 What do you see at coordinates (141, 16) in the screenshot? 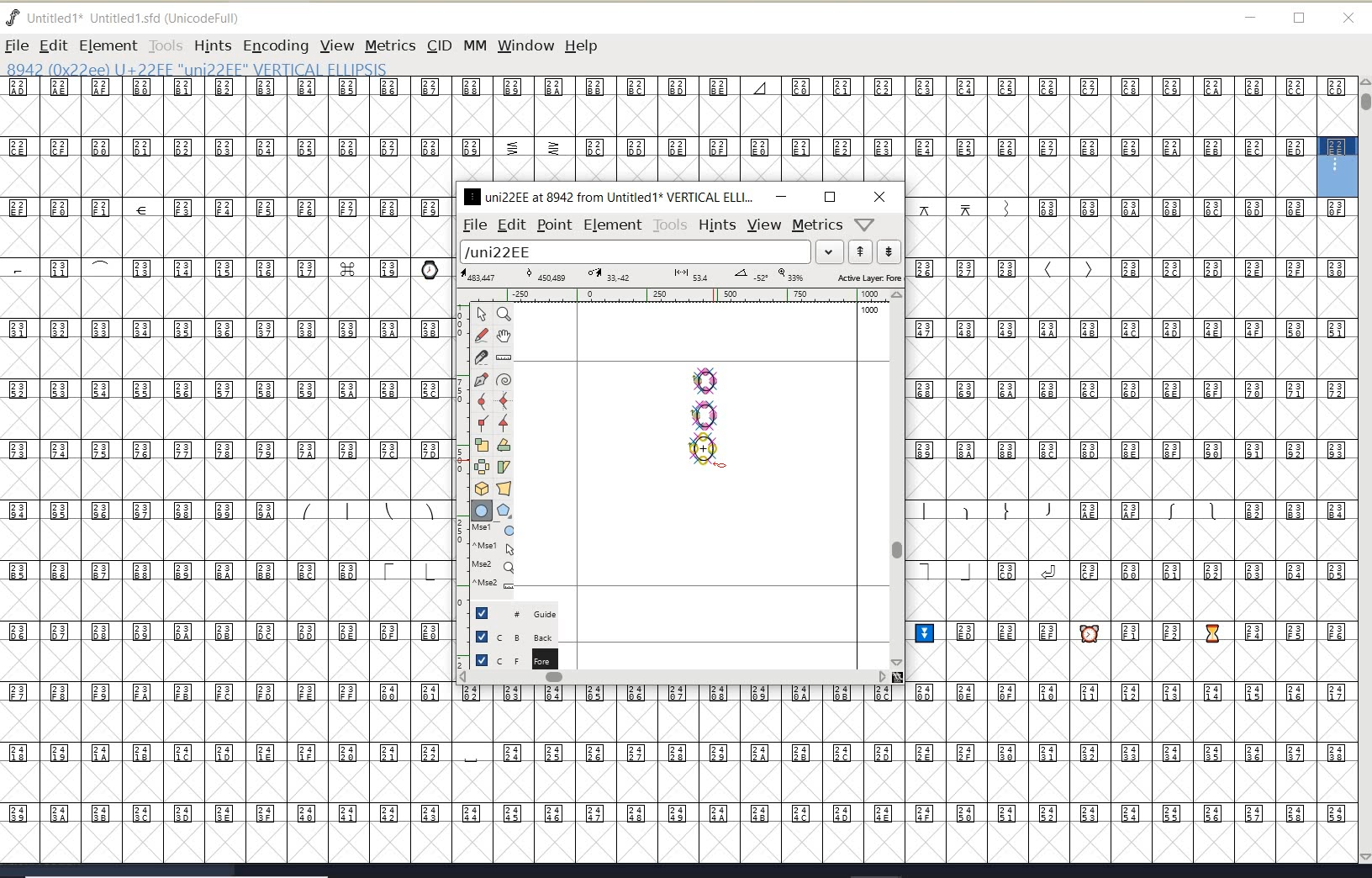
I see `untitled1* Untitled 1.sfd (UnicodeFull)` at bounding box center [141, 16].